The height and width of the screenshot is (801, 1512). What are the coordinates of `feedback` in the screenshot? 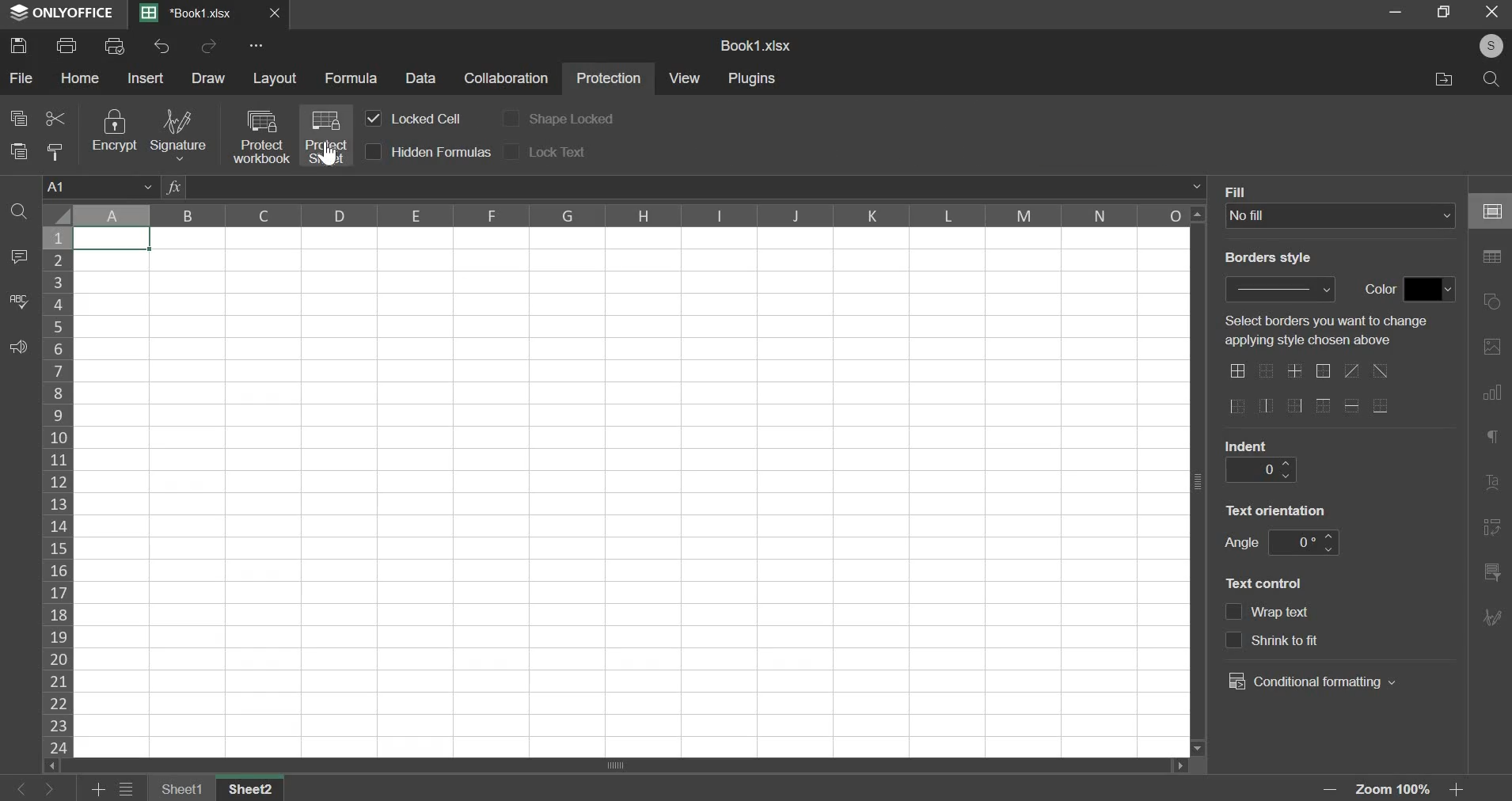 It's located at (17, 347).